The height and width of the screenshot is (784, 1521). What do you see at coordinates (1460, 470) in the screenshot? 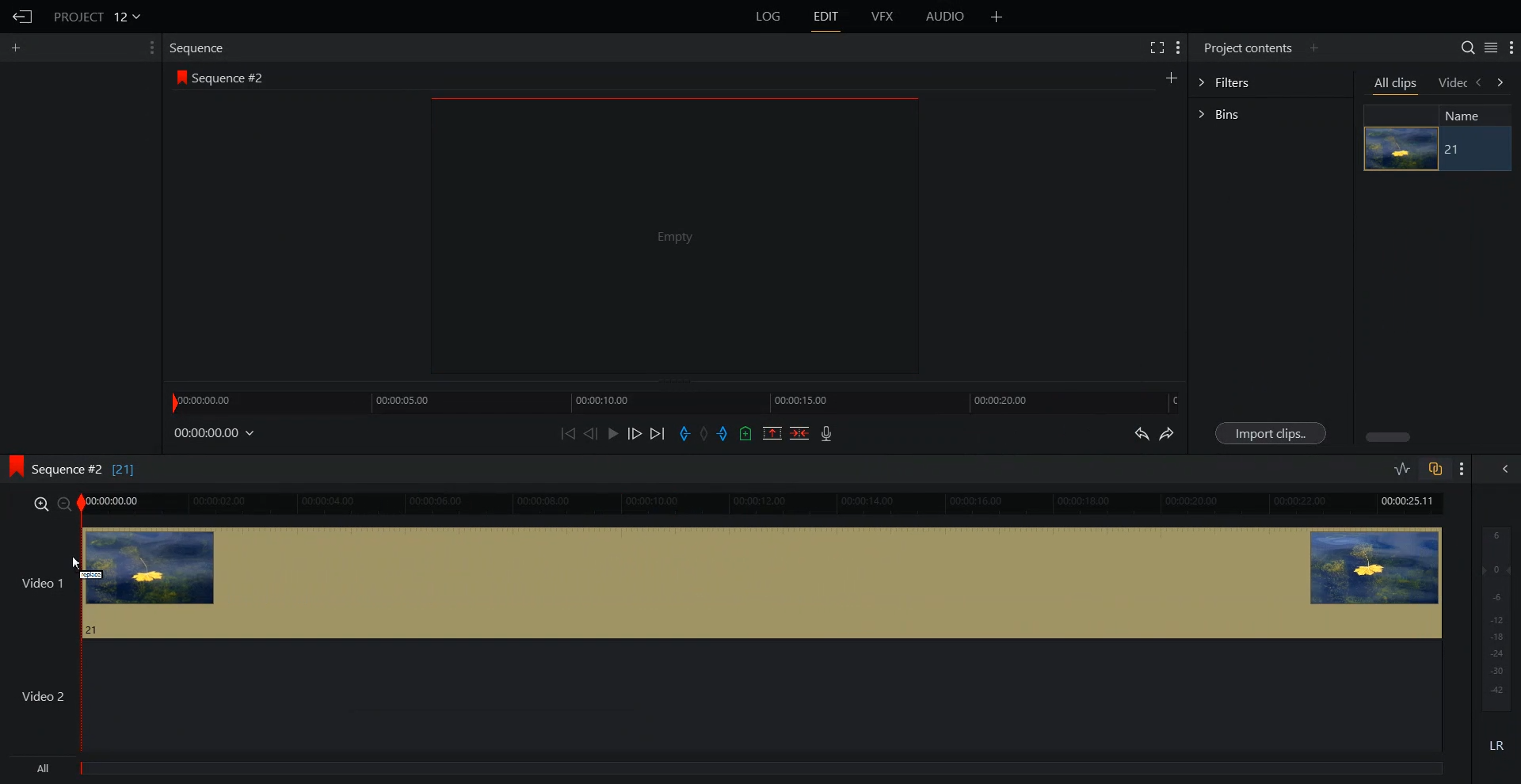
I see `Show Setting Menu` at bounding box center [1460, 470].